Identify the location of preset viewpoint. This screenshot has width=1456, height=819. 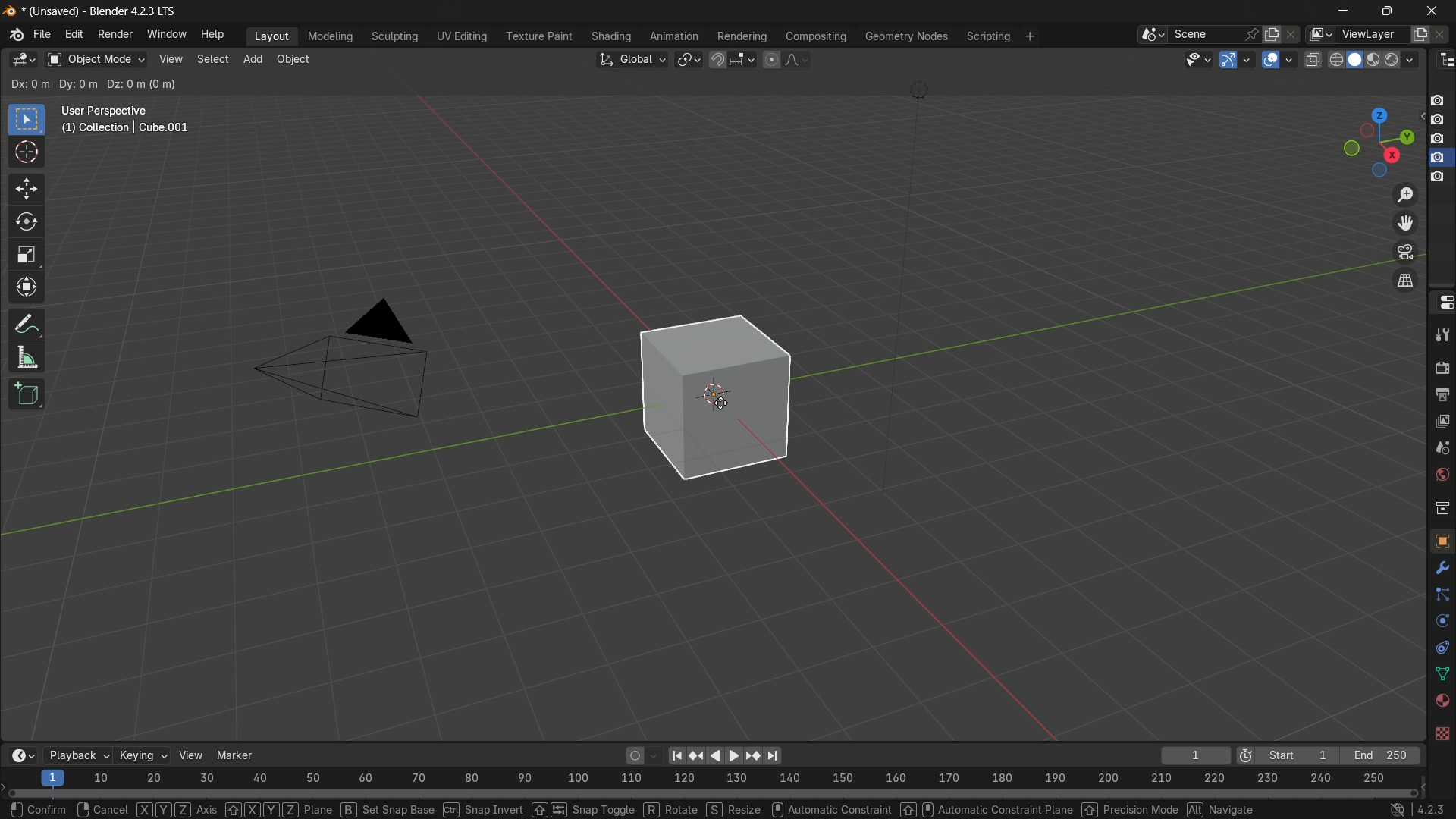
(1379, 142).